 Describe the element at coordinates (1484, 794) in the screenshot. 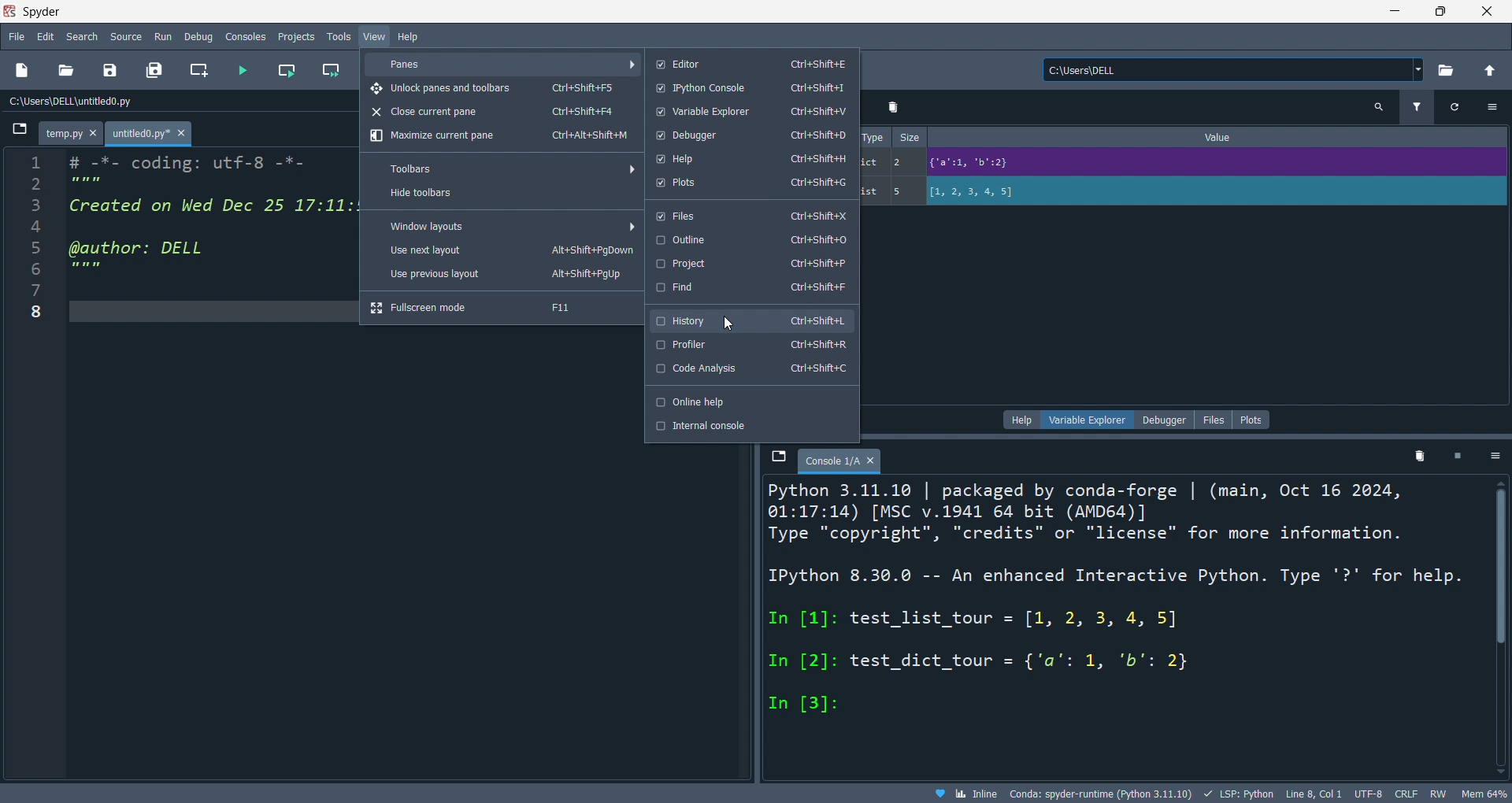

I see `memory usage` at that location.